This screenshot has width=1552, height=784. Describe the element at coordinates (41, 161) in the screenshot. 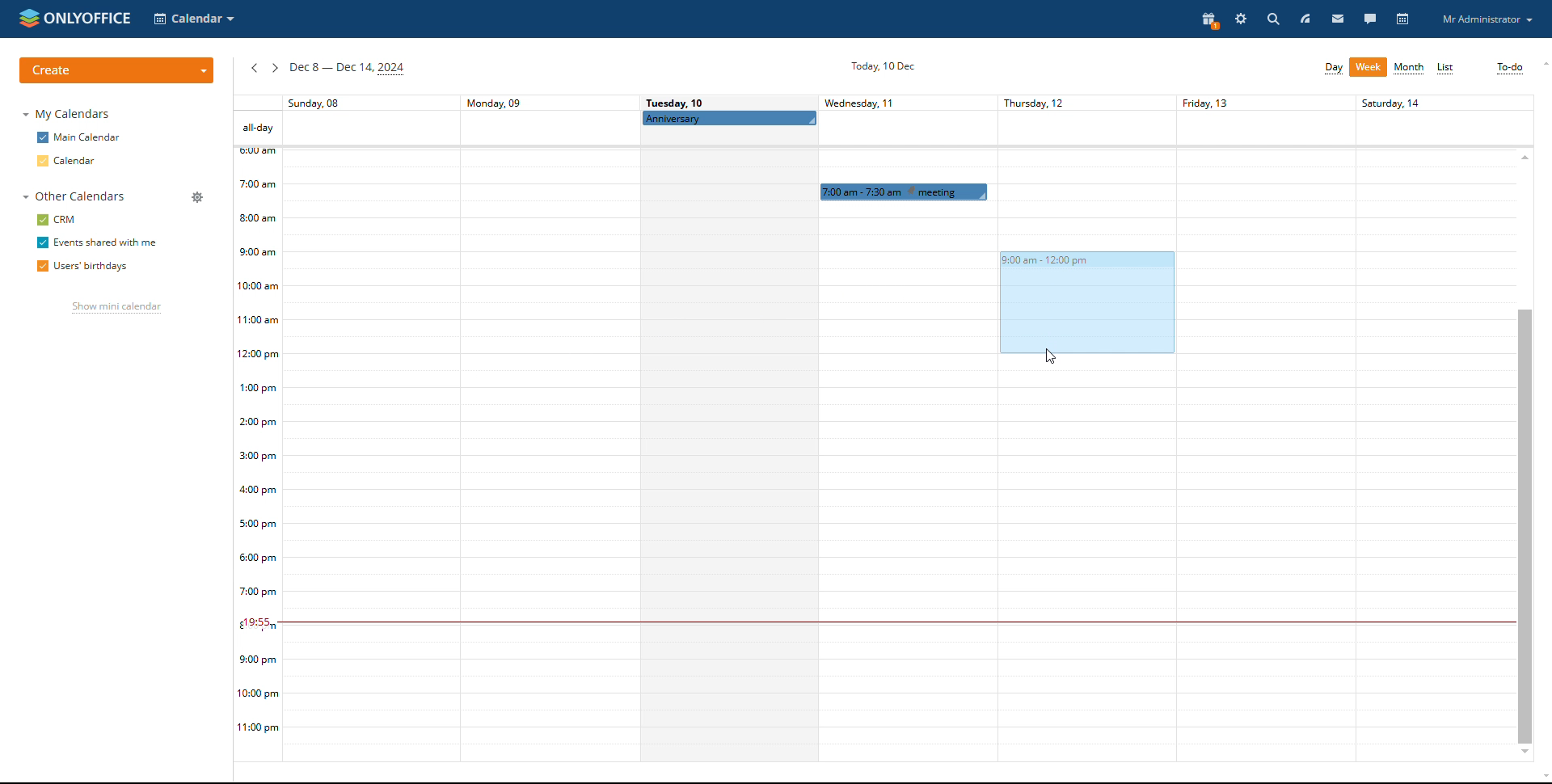

I see `checkbox` at that location.